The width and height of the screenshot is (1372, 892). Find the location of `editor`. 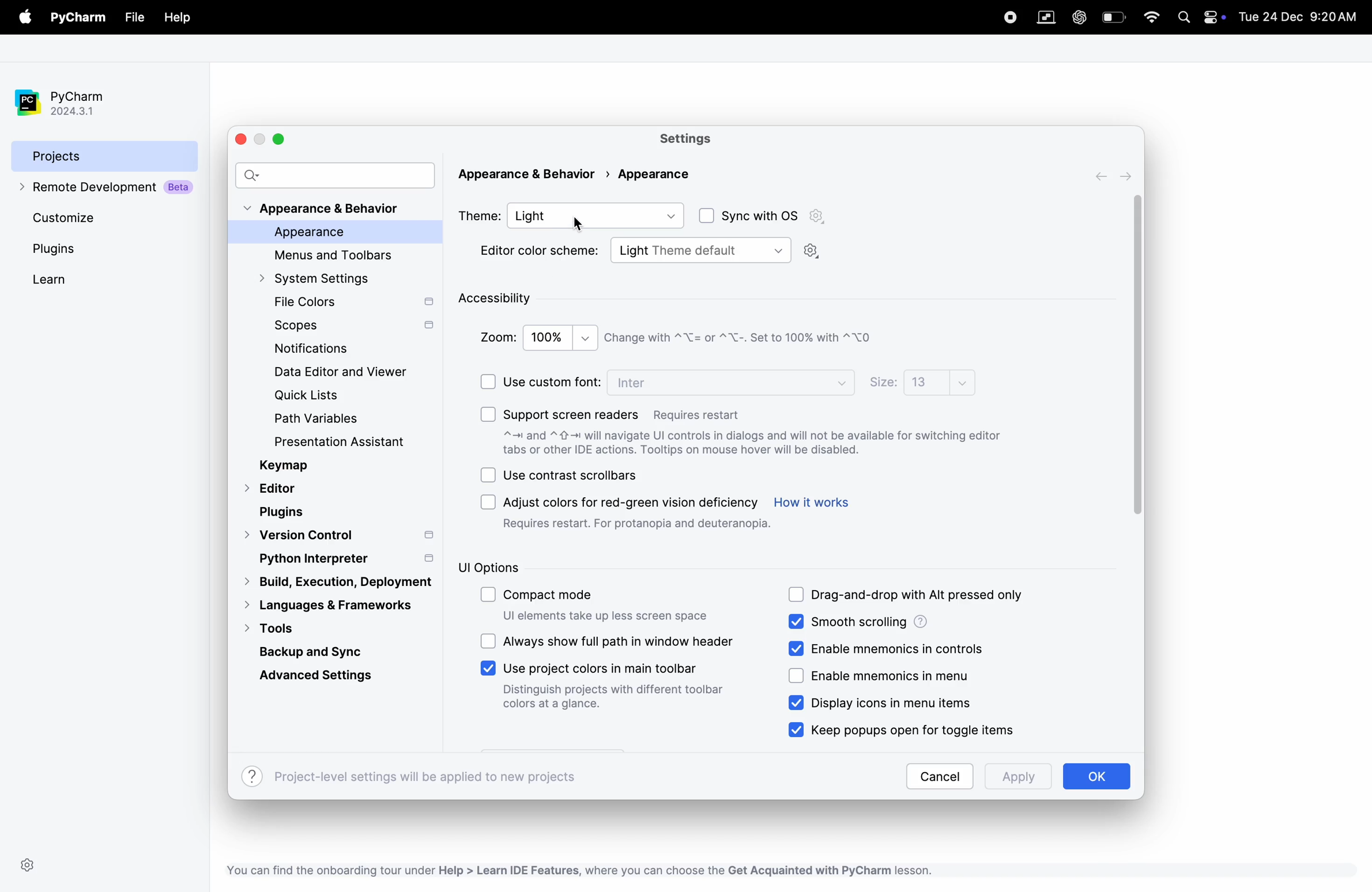

editor is located at coordinates (274, 490).